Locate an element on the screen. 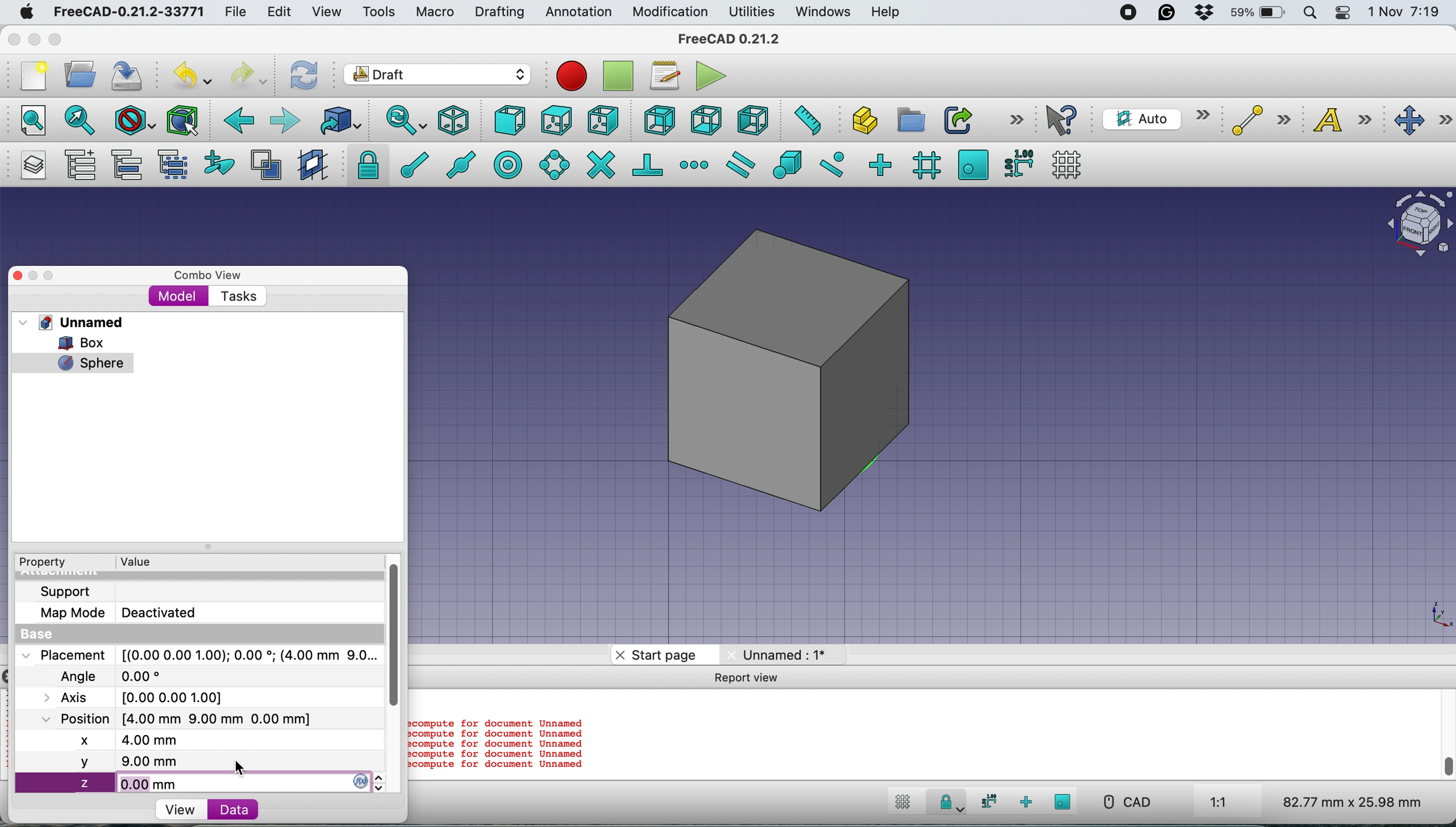 This screenshot has width=1456, height=827. angle is located at coordinates (116, 678).